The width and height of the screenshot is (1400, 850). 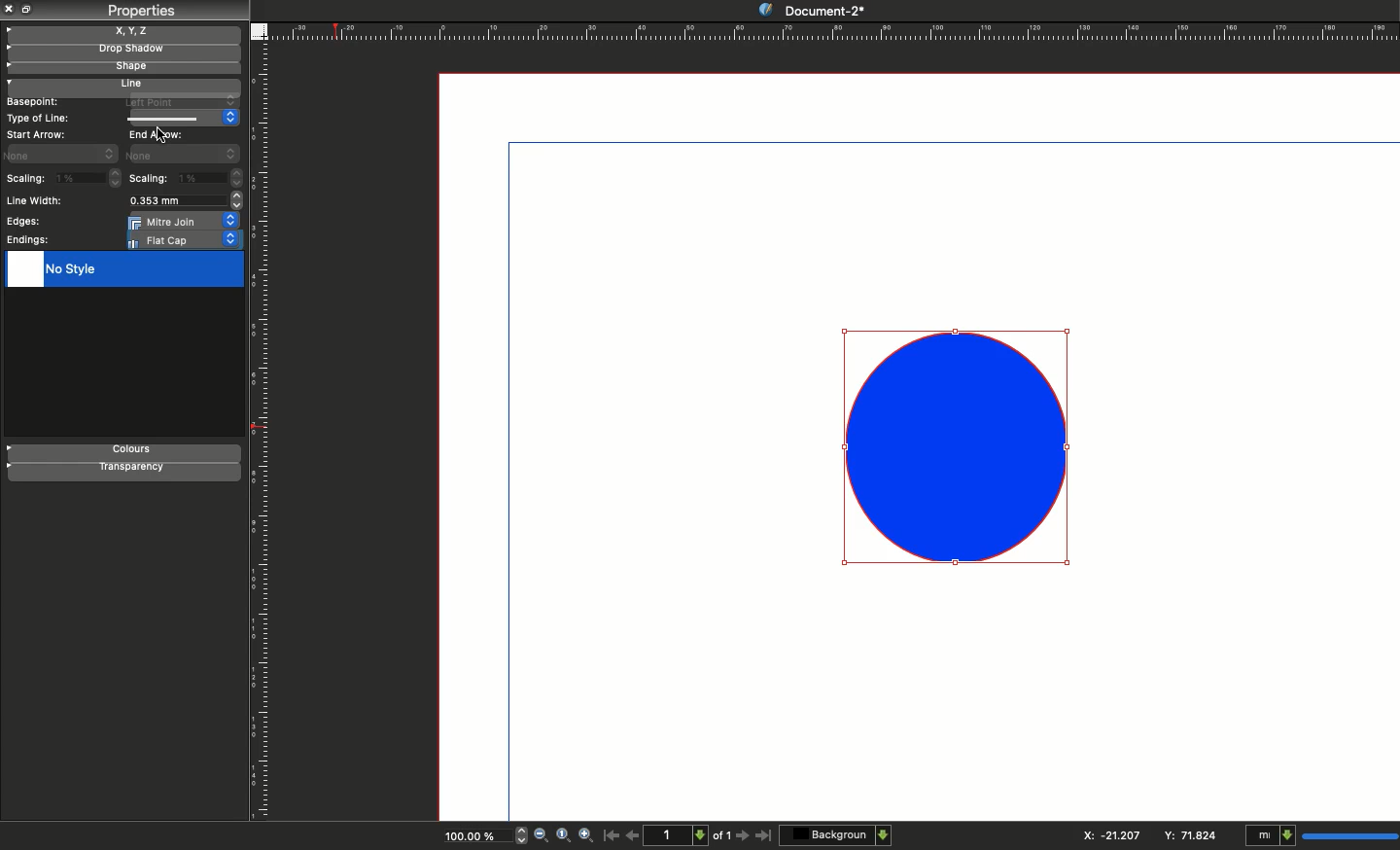 I want to click on 1%, so click(x=89, y=177).